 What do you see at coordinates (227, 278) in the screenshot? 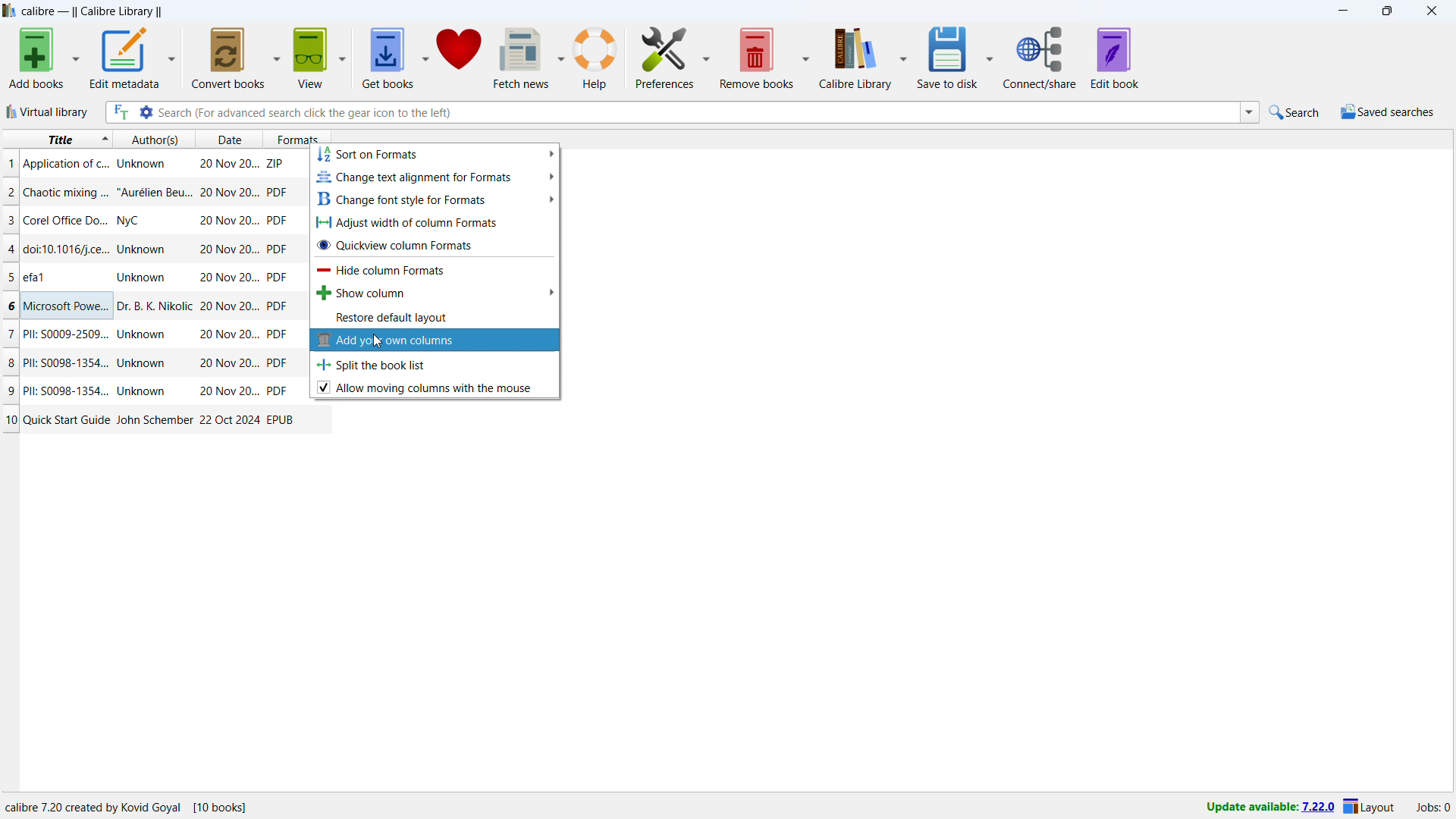
I see `date` at bounding box center [227, 278].